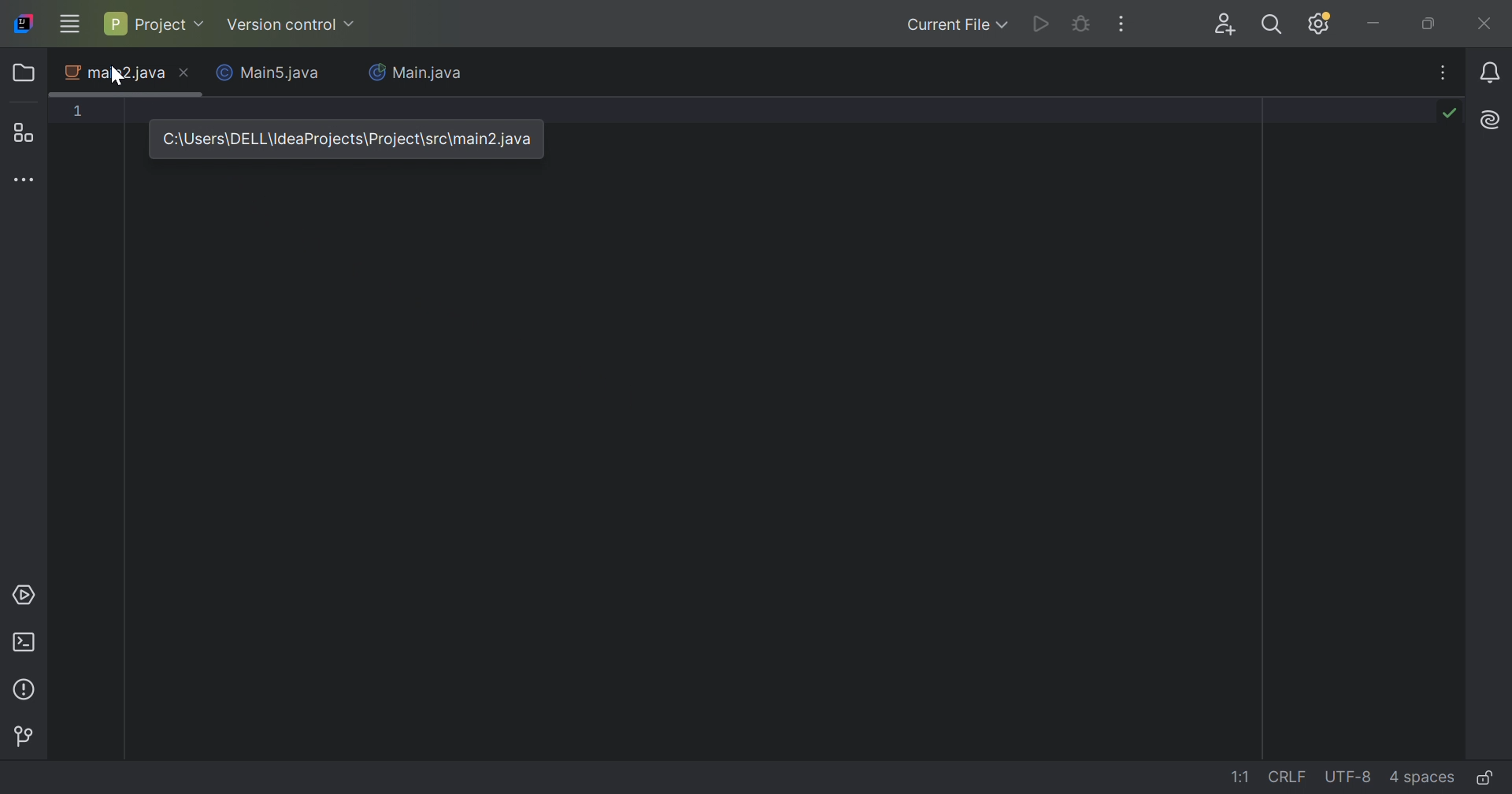  What do you see at coordinates (26, 644) in the screenshot?
I see `Terminal` at bounding box center [26, 644].